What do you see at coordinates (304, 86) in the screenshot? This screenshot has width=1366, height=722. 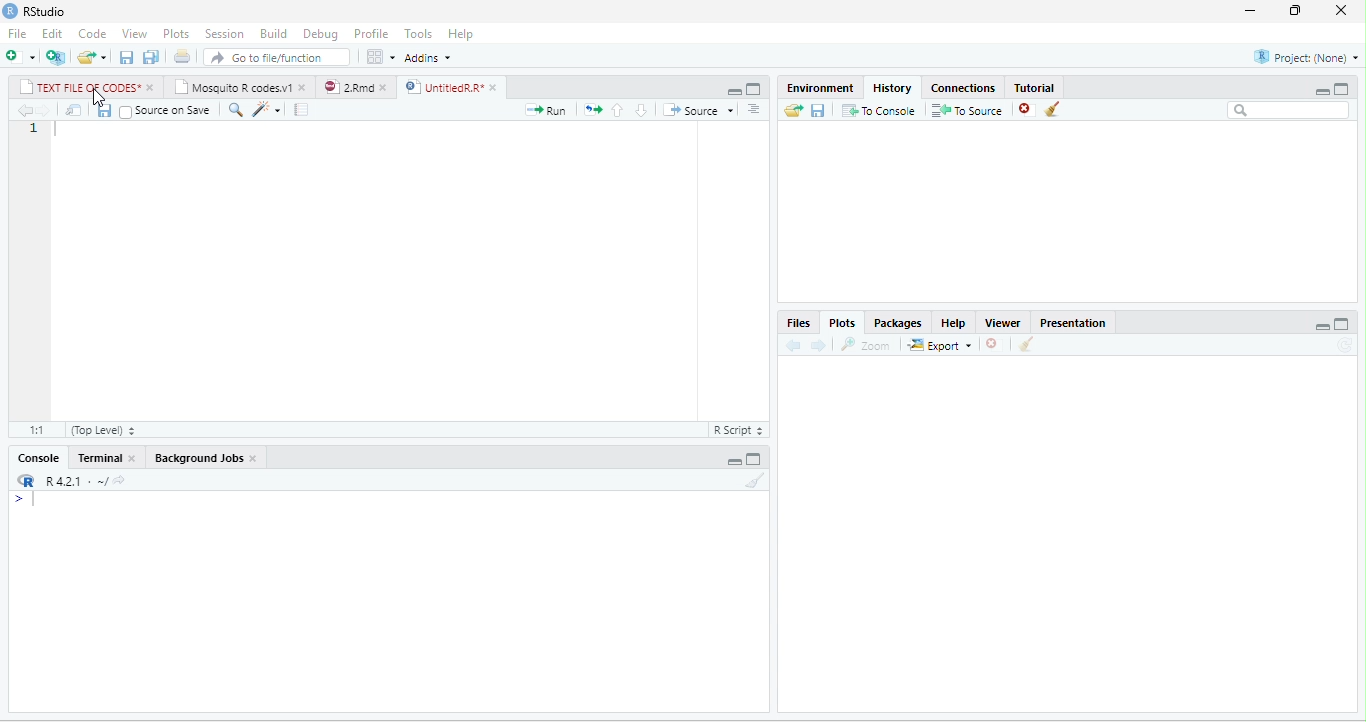 I see `close` at bounding box center [304, 86].